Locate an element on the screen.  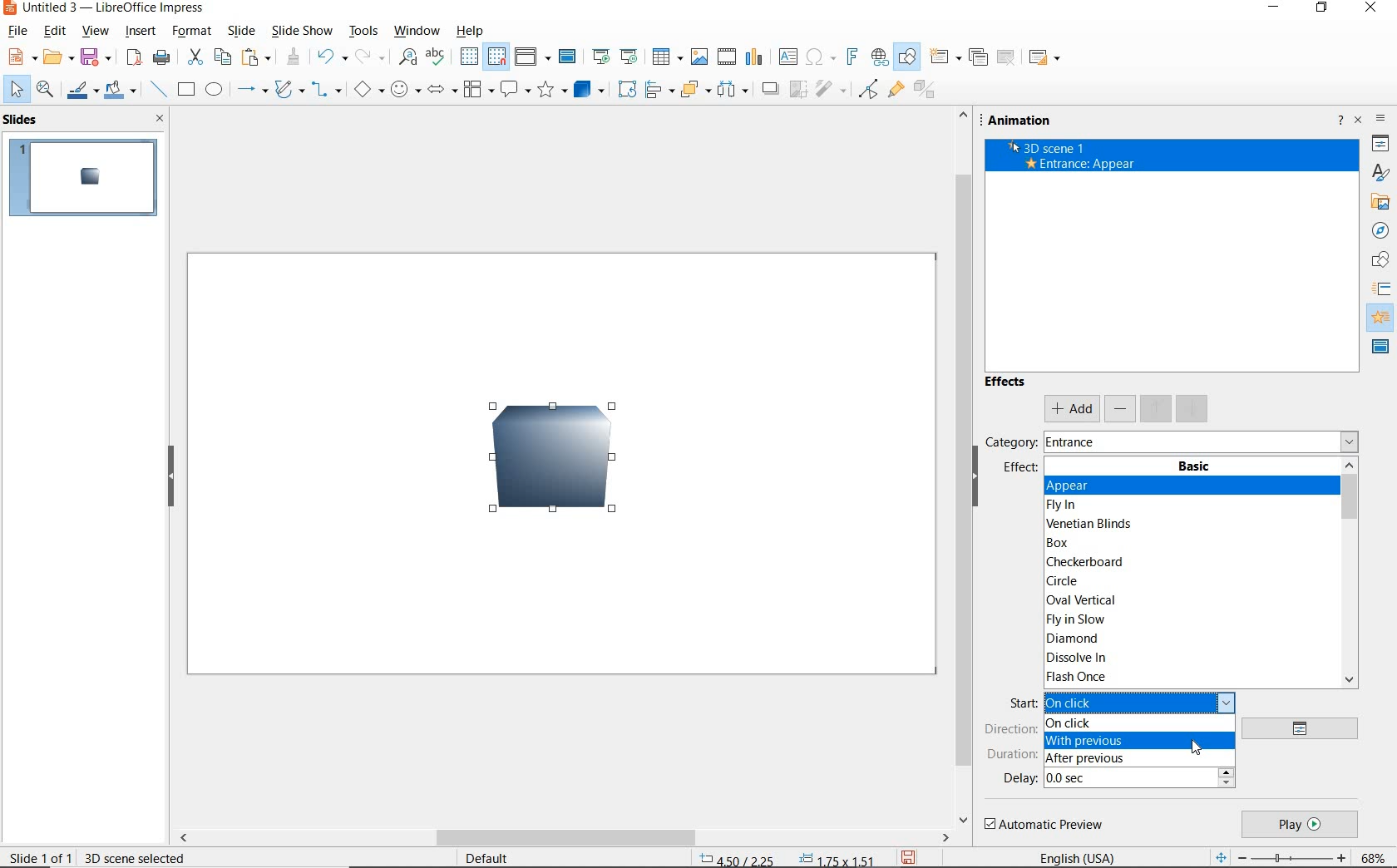
ENTRANCE is located at coordinates (1077, 441).